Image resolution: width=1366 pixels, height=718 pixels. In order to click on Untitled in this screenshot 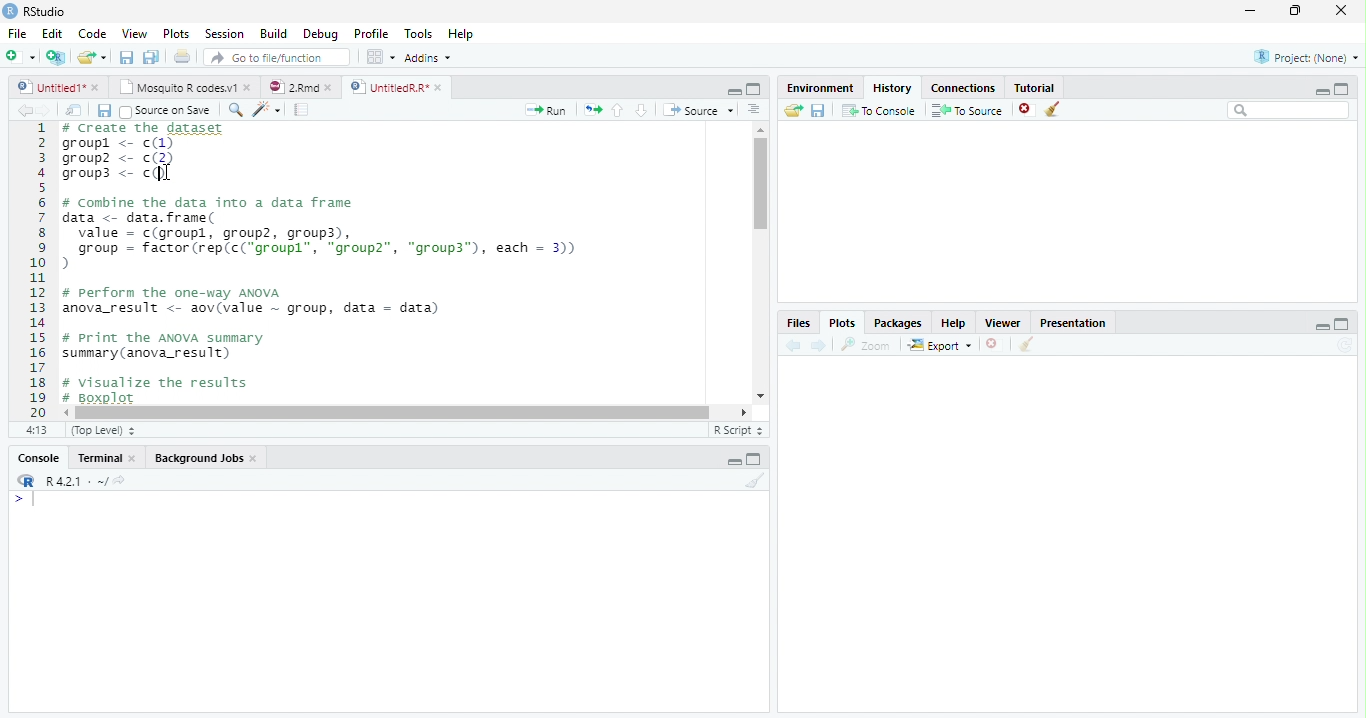, I will do `click(59, 87)`.